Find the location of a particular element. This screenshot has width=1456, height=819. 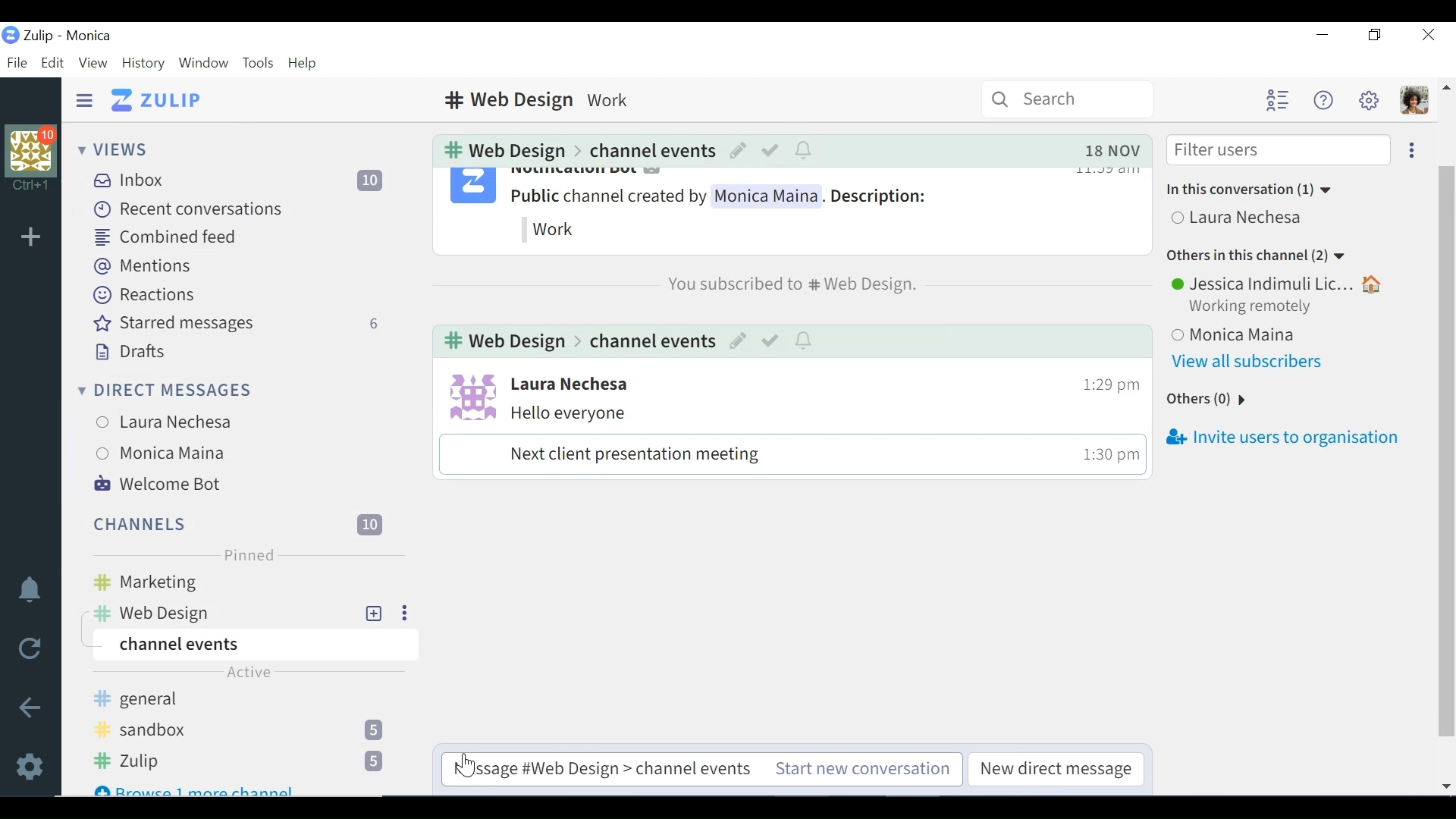

Others is located at coordinates (1205, 400).